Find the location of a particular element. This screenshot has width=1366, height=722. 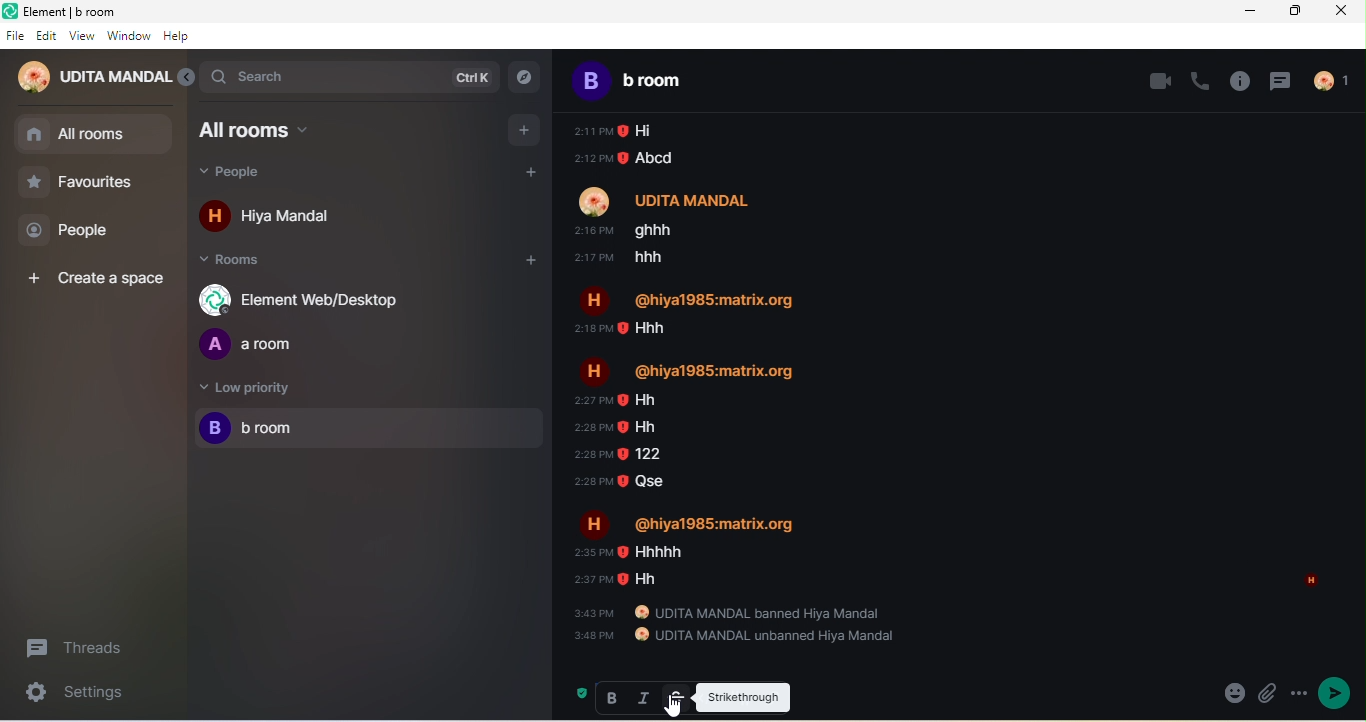

maximize is located at coordinates (1300, 12).